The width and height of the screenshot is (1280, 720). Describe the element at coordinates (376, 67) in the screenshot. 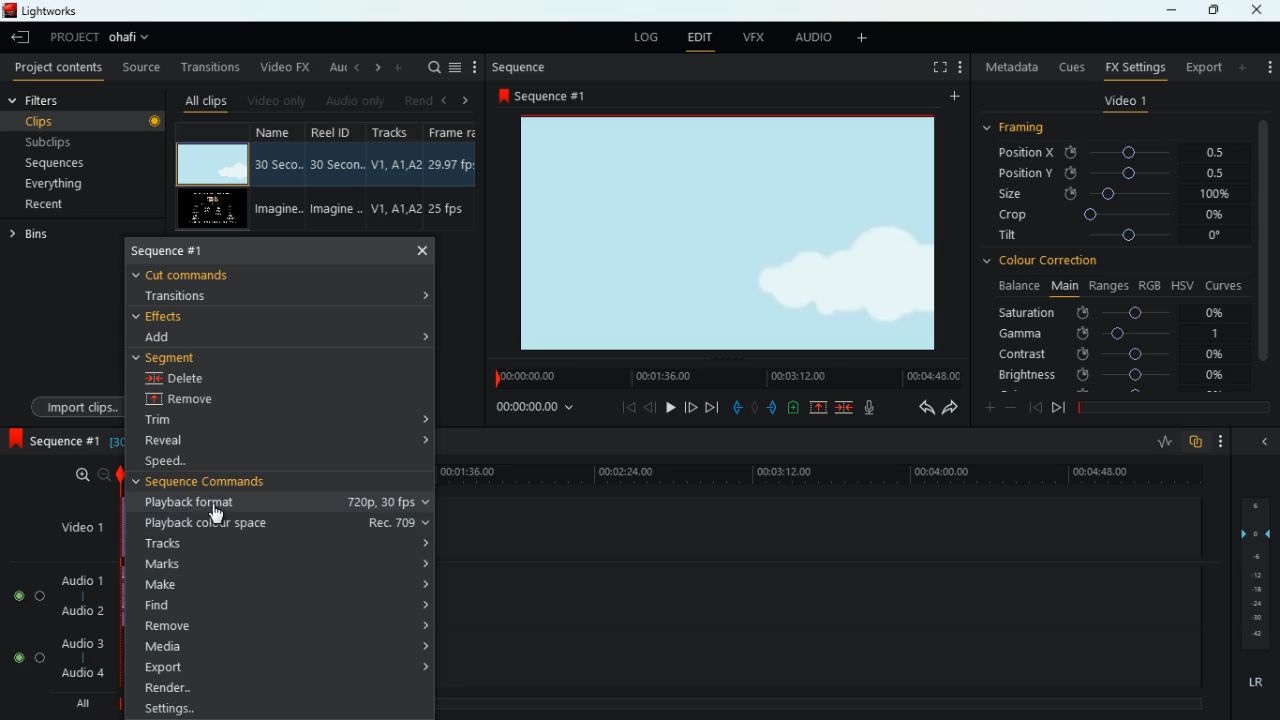

I see `right` at that location.